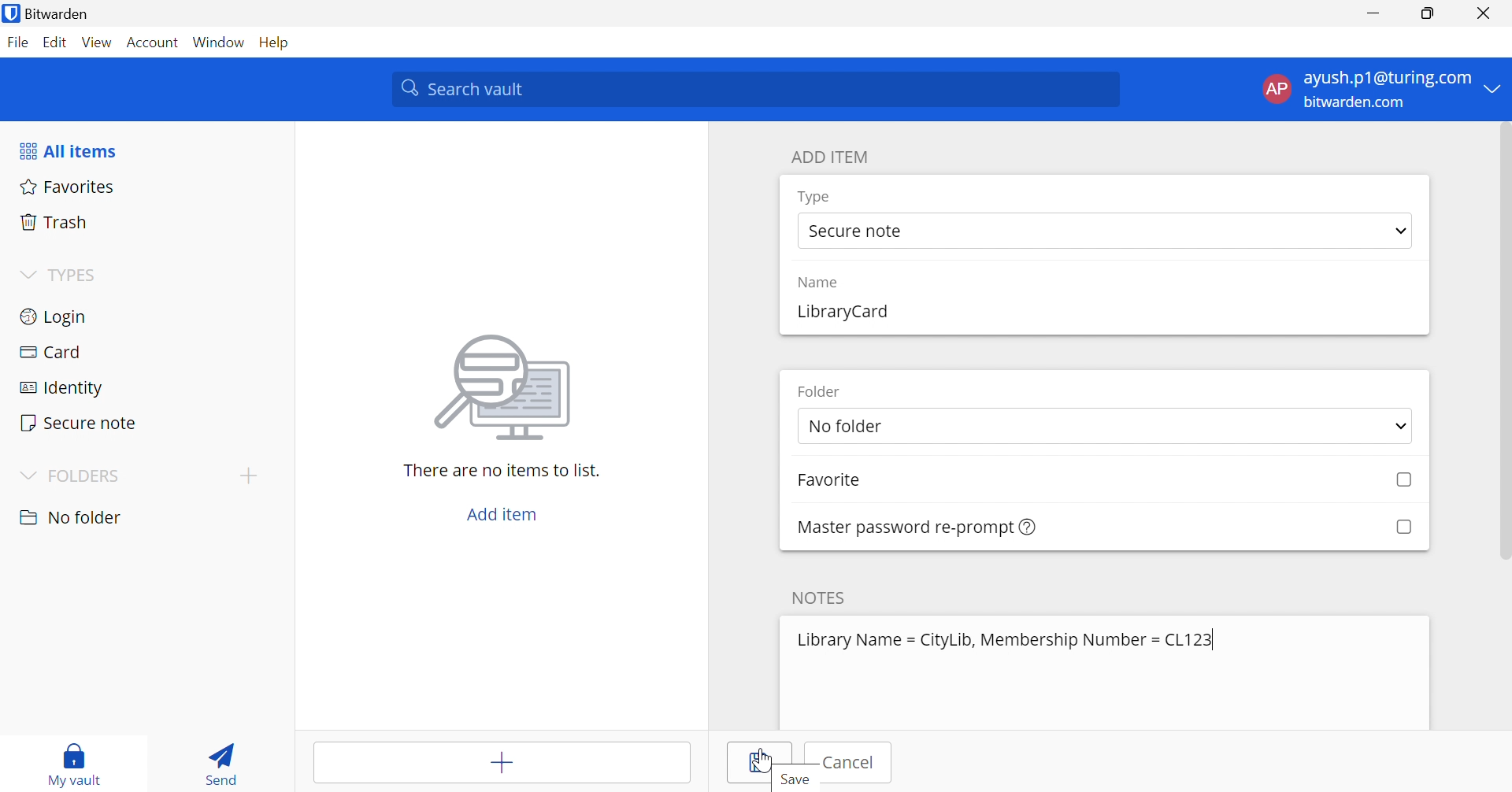  I want to click on Window, so click(220, 42).